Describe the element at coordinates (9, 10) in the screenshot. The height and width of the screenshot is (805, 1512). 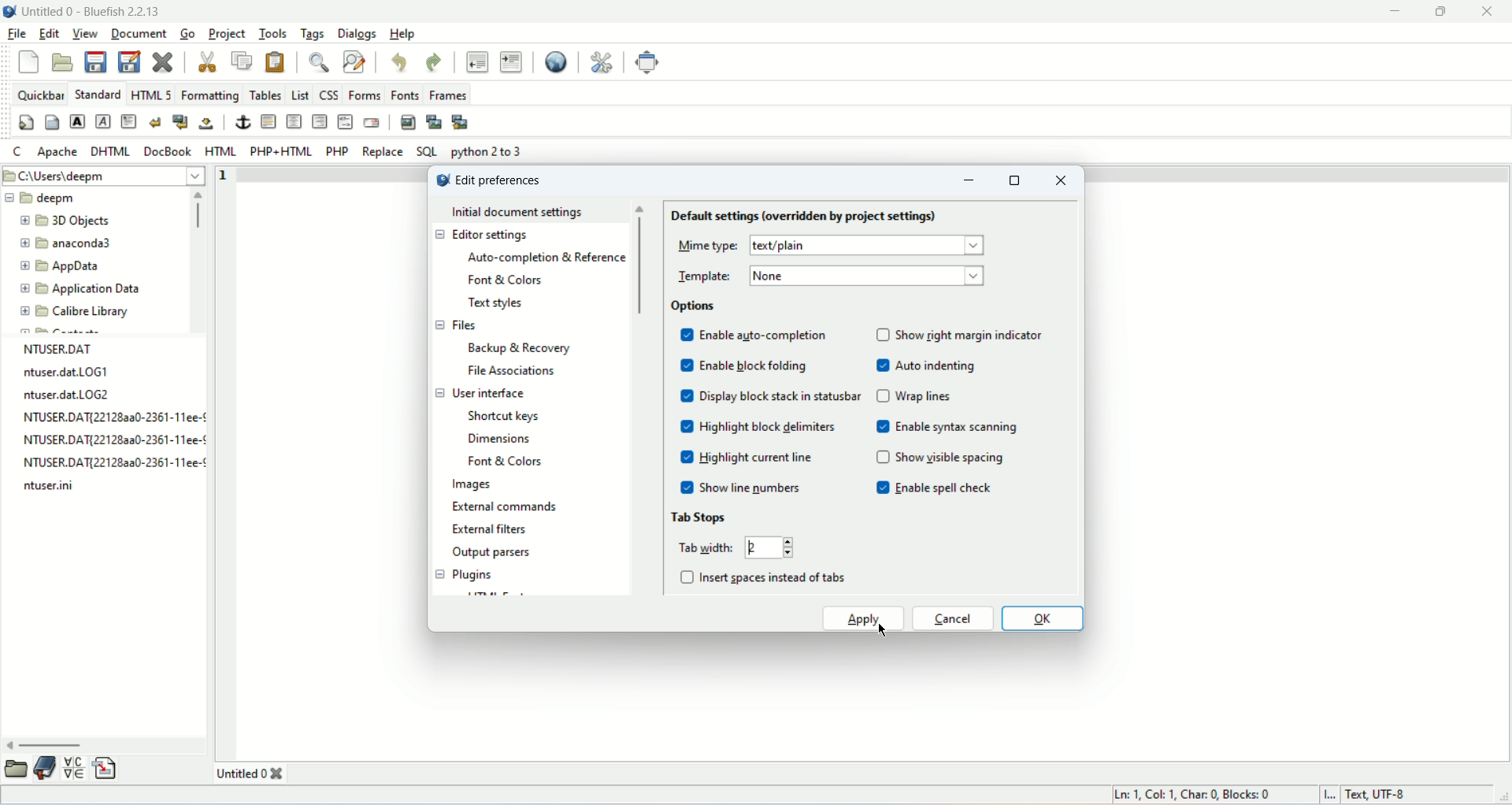
I see `logo` at that location.